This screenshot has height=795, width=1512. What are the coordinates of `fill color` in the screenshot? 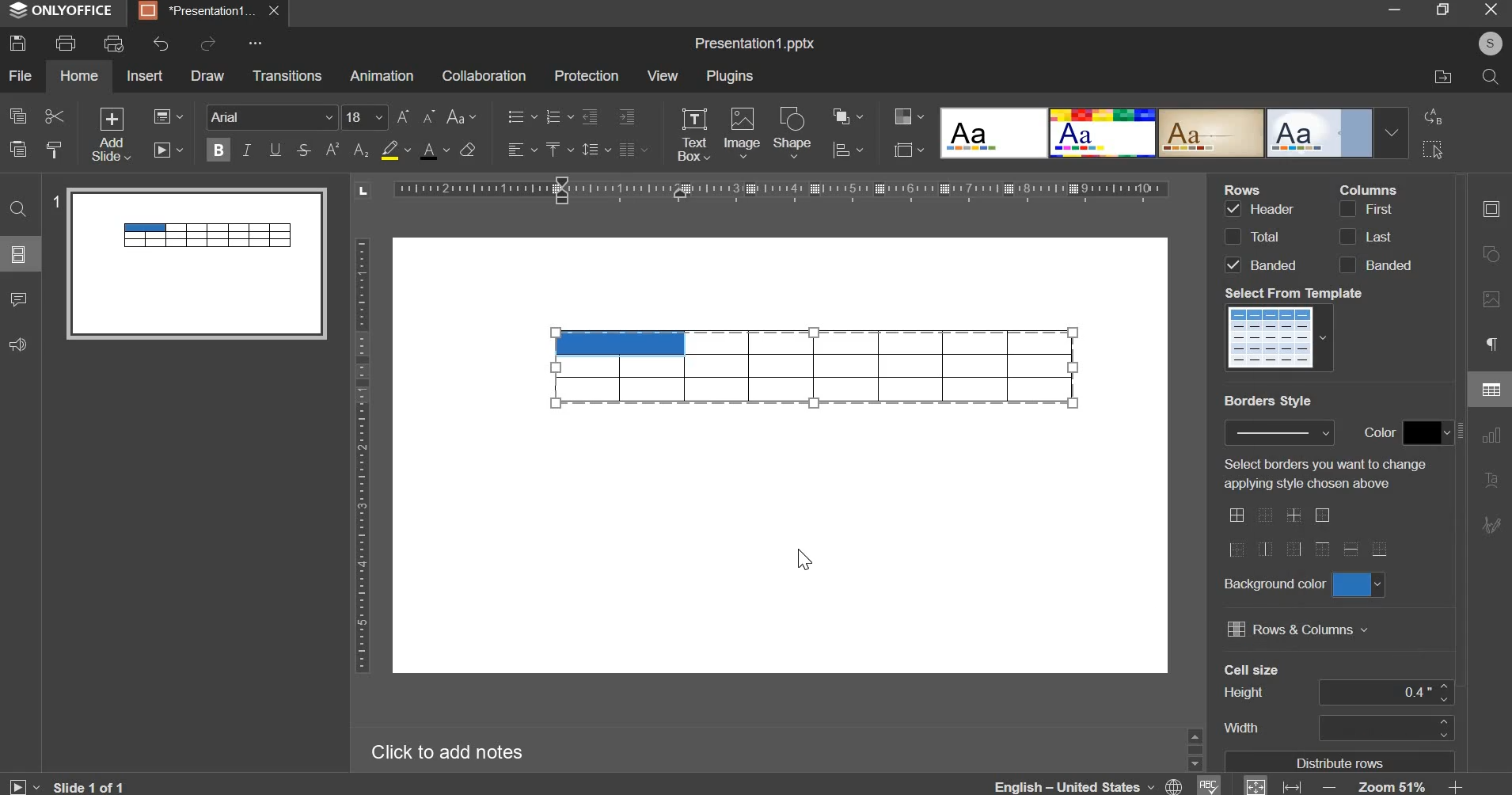 It's located at (394, 150).